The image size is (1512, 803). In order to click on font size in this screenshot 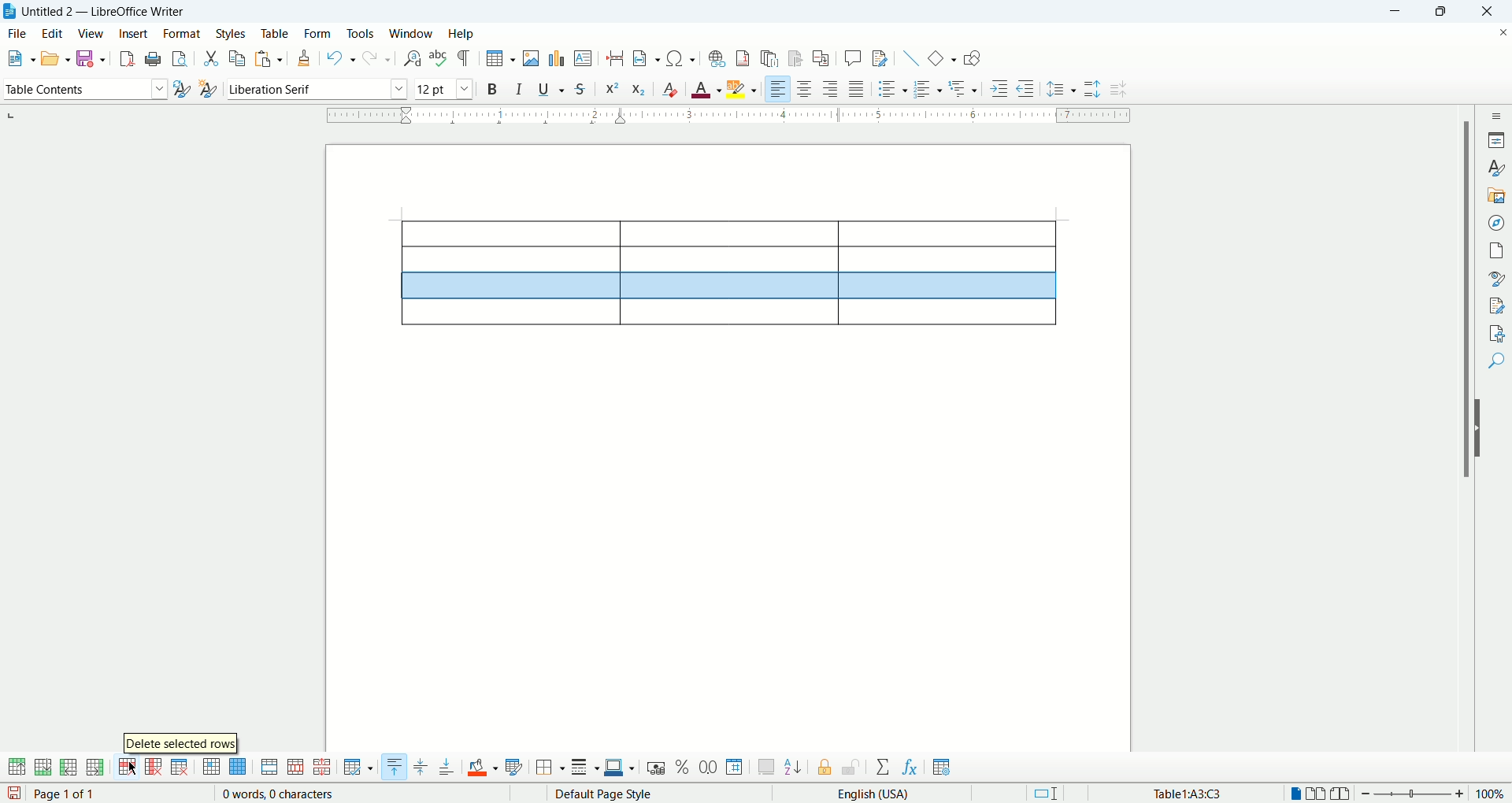, I will do `click(446, 87)`.